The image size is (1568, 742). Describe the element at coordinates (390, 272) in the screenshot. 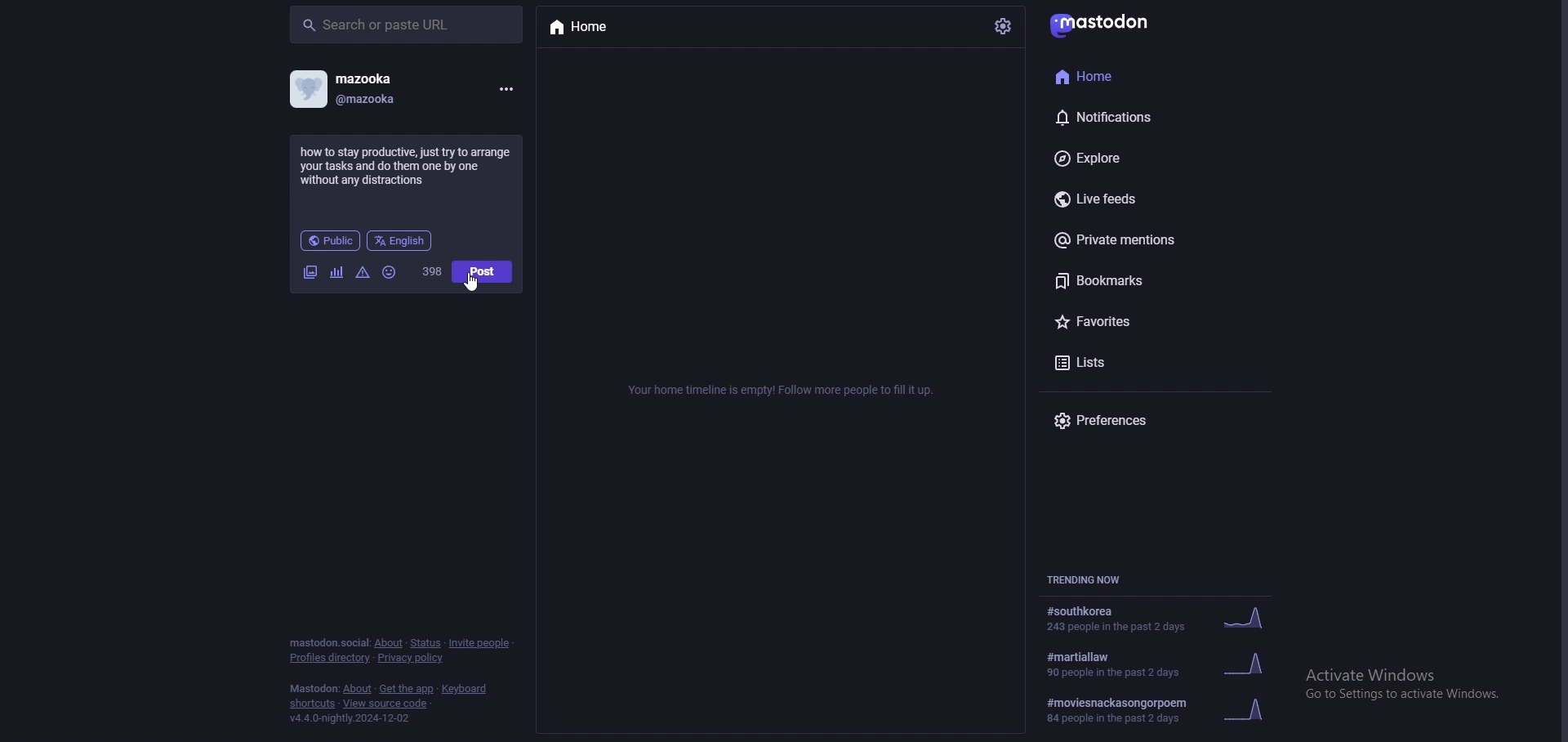

I see `emoji` at that location.